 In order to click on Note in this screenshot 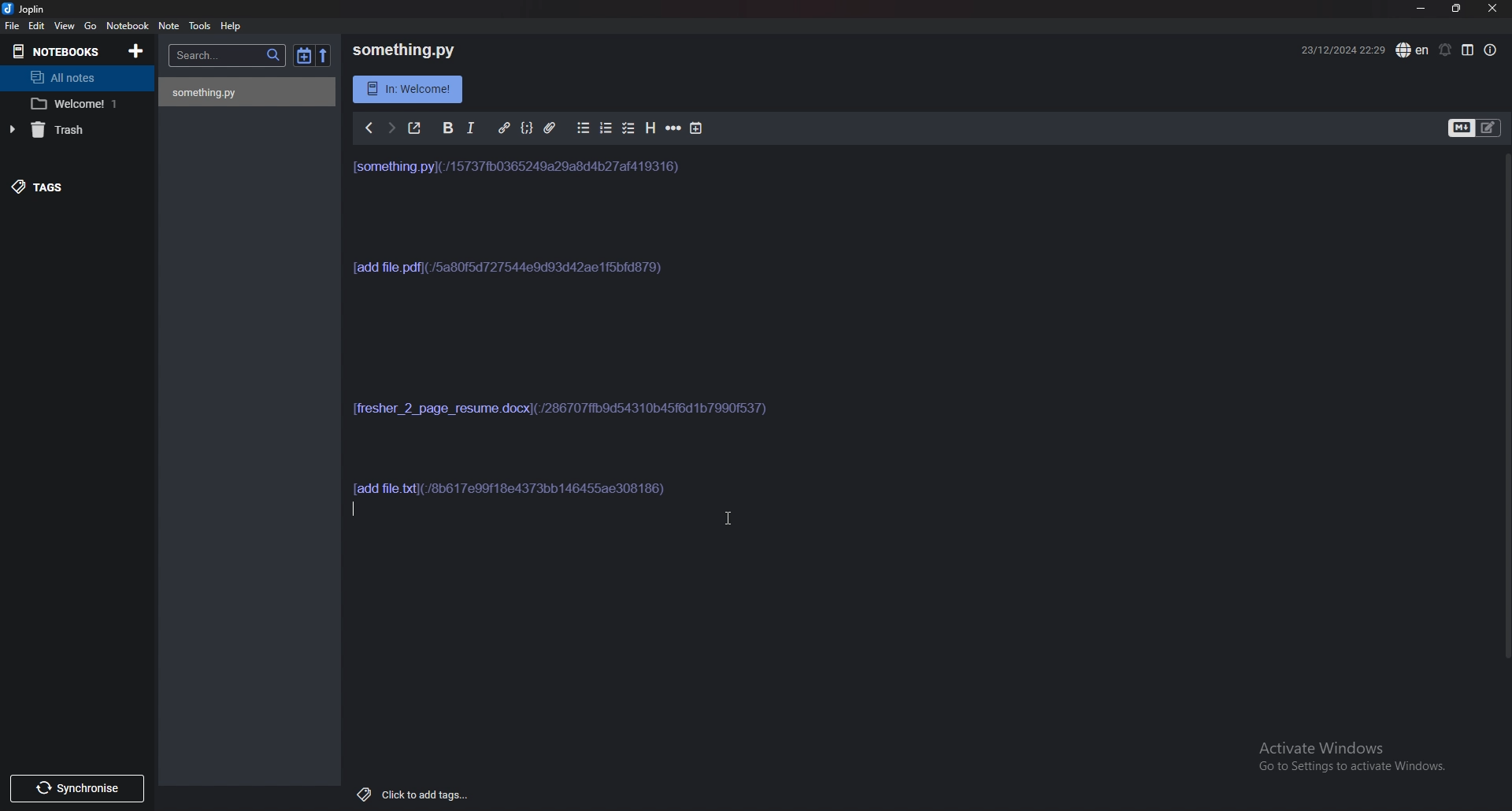, I will do `click(169, 27)`.